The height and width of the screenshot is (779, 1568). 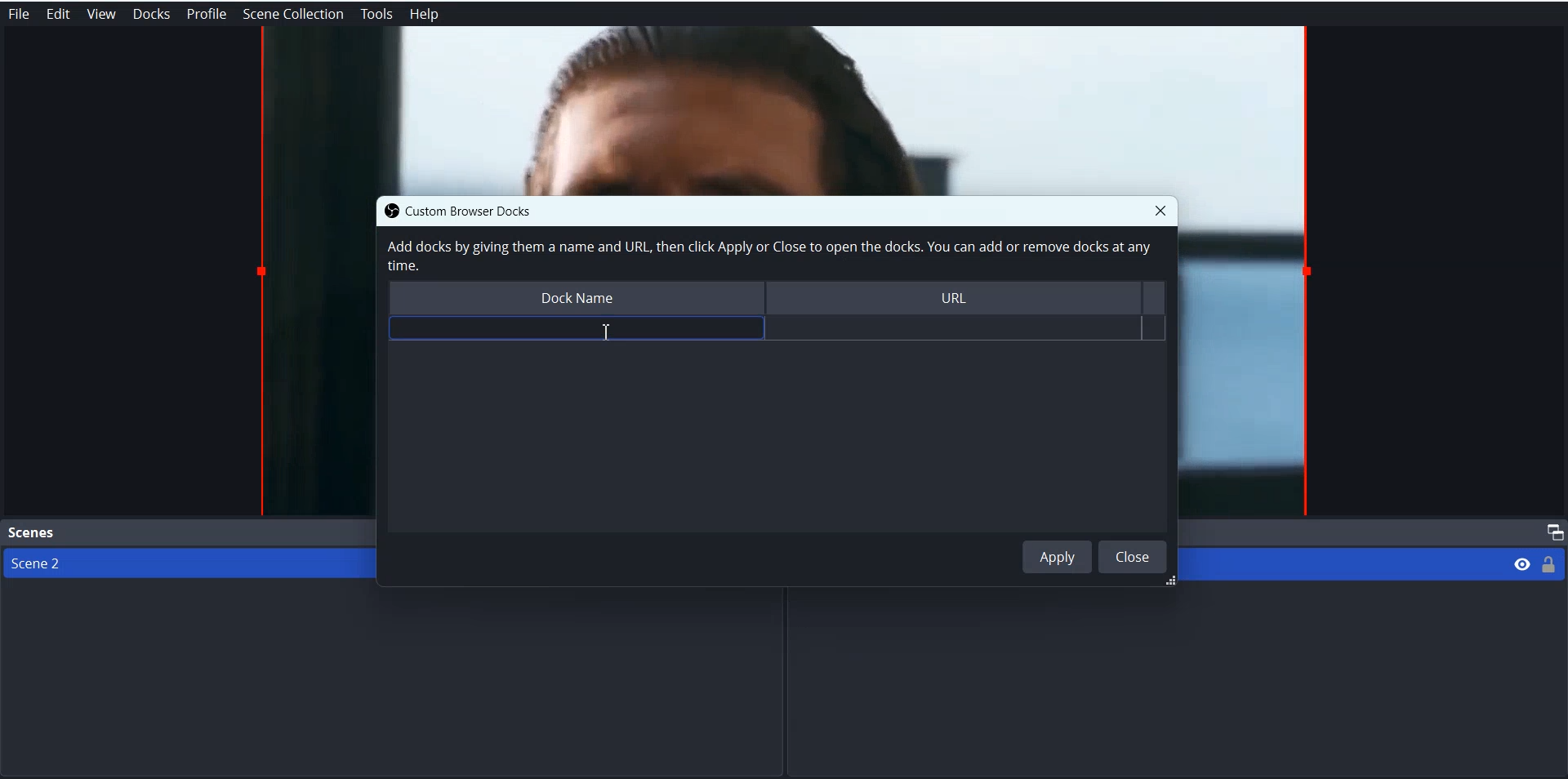 What do you see at coordinates (1552, 532) in the screenshot?
I see `Maximize` at bounding box center [1552, 532].